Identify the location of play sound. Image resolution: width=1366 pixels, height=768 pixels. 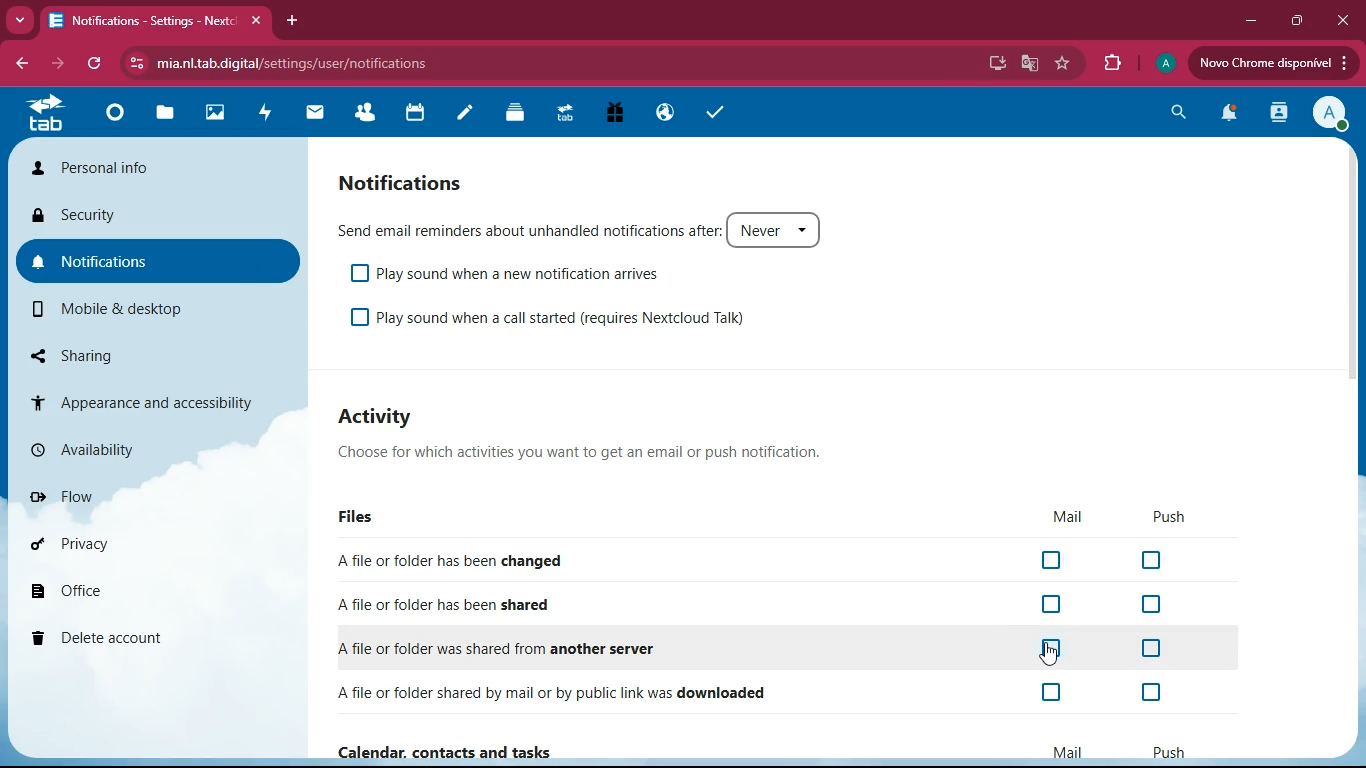
(564, 319).